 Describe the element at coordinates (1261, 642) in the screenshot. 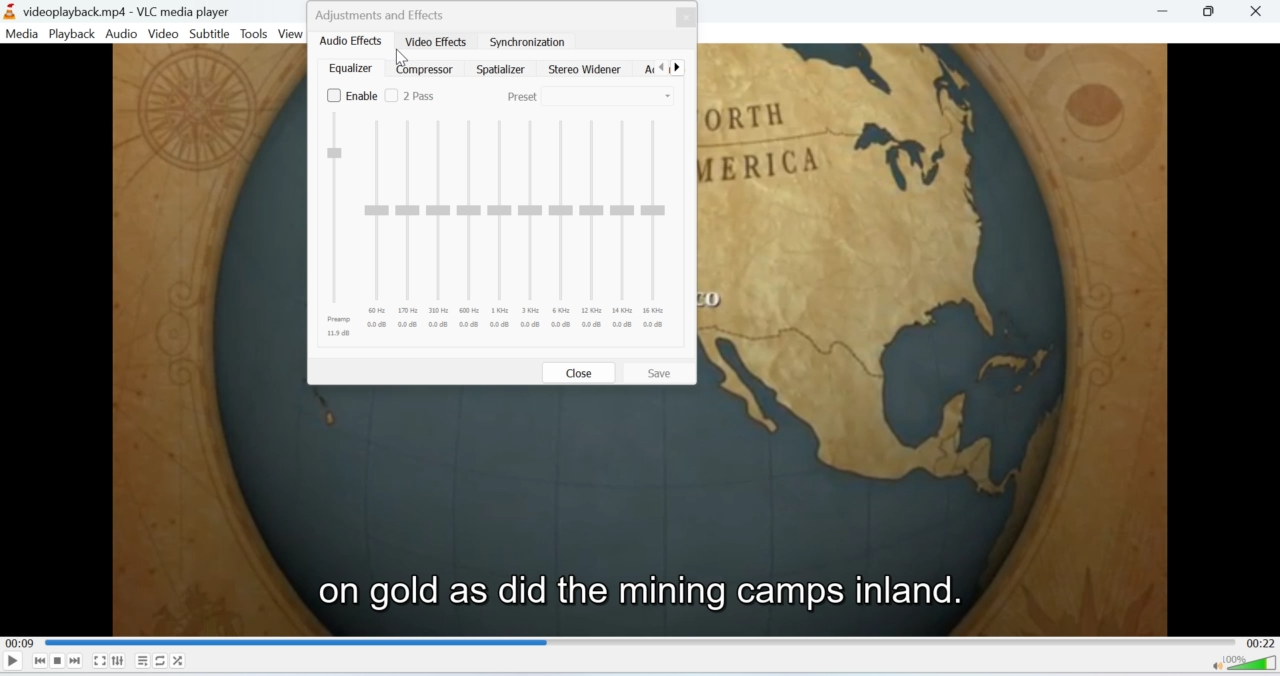

I see `00:22` at that location.